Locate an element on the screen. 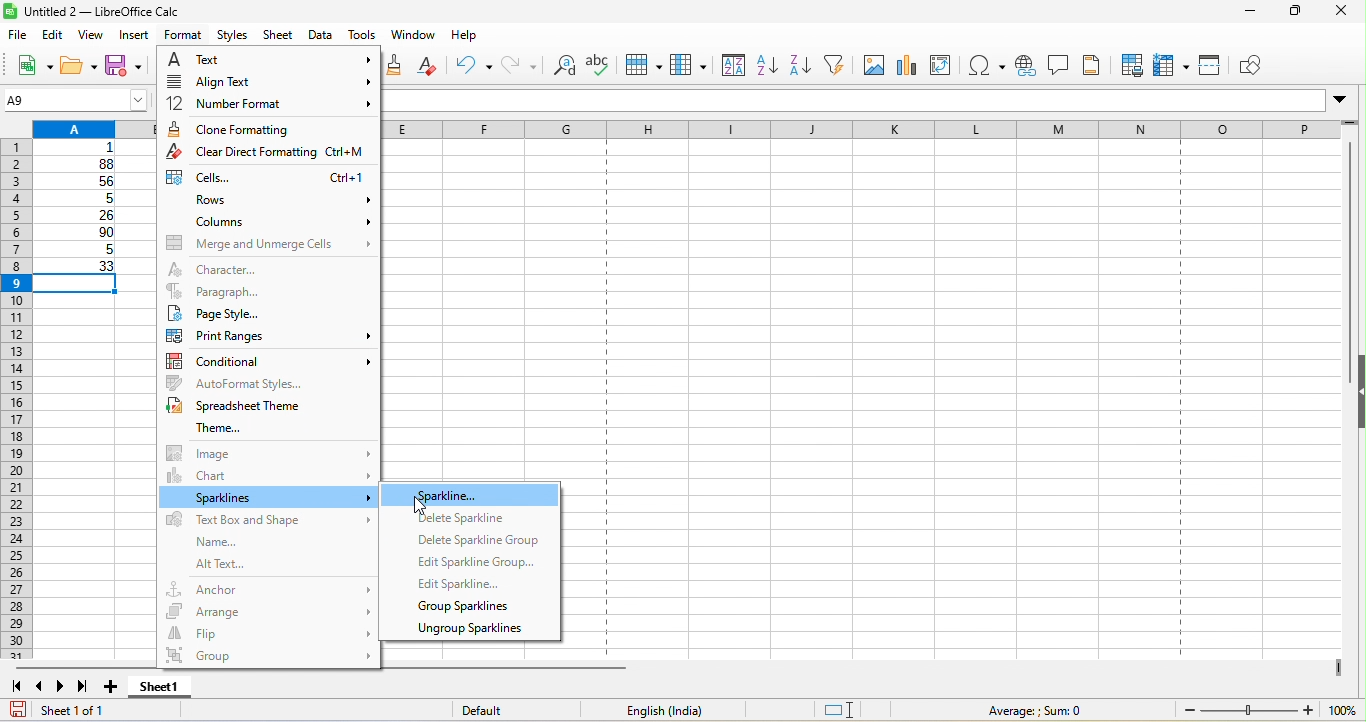 The image size is (1366, 722). scroll to first sheet is located at coordinates (16, 687).